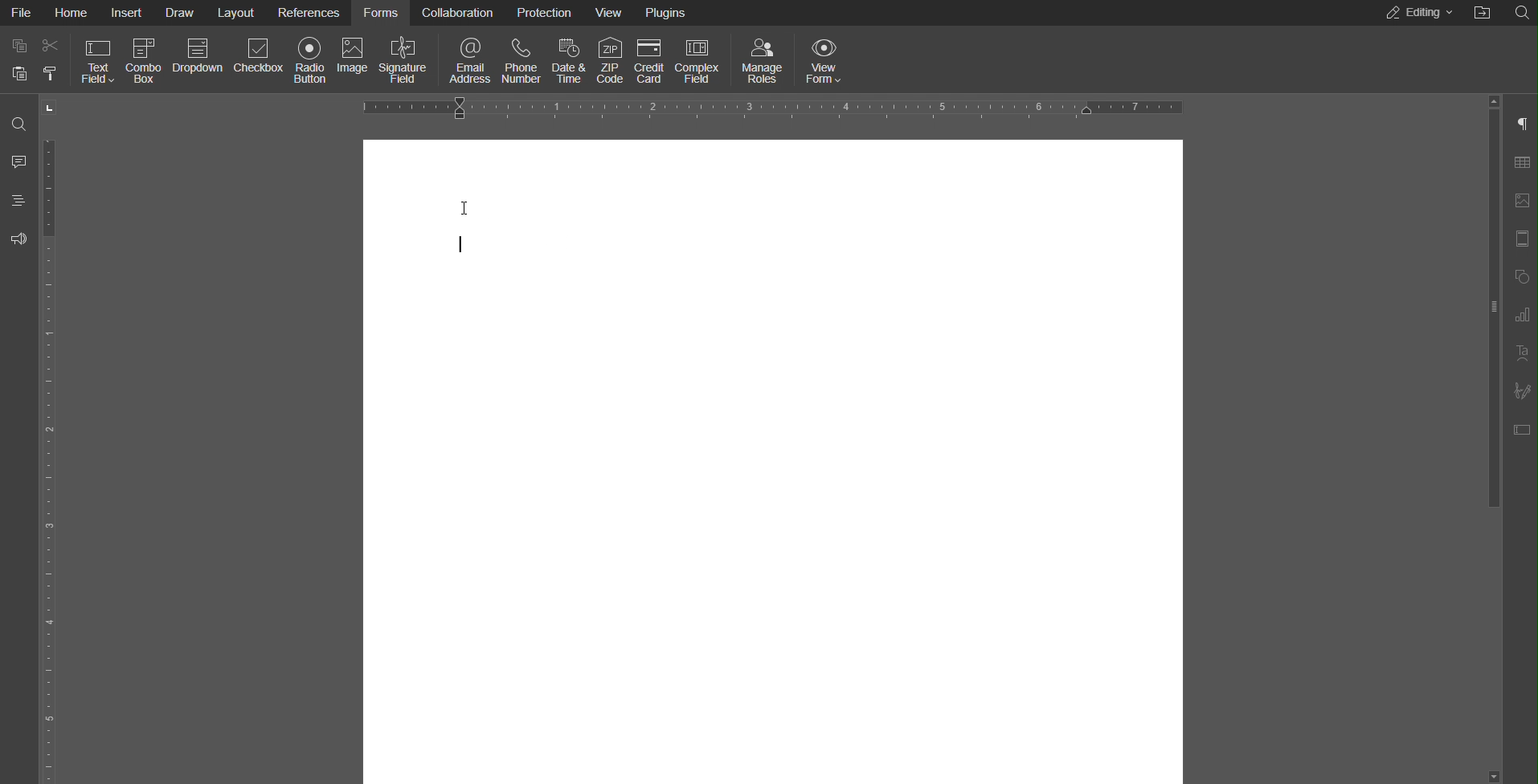 Image resolution: width=1538 pixels, height=784 pixels. I want to click on Vertical Ruler, so click(53, 439).